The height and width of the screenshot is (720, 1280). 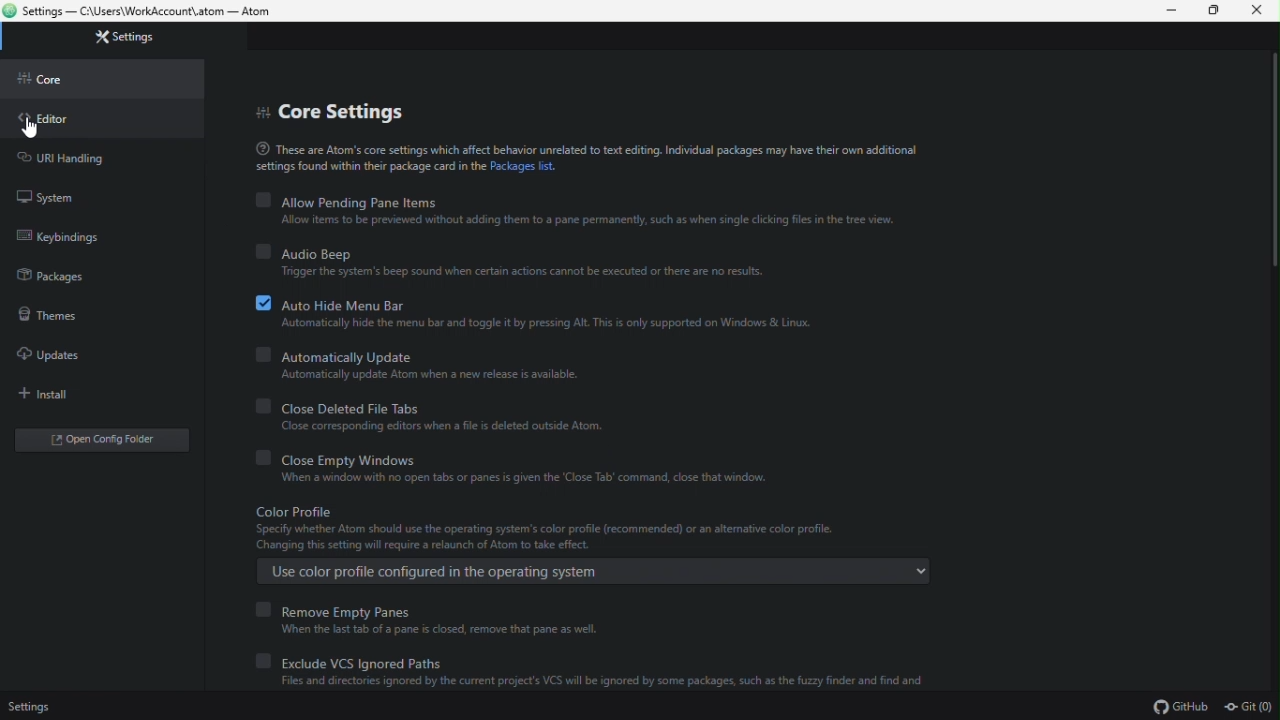 What do you see at coordinates (123, 440) in the screenshot?
I see `open folder` at bounding box center [123, 440].